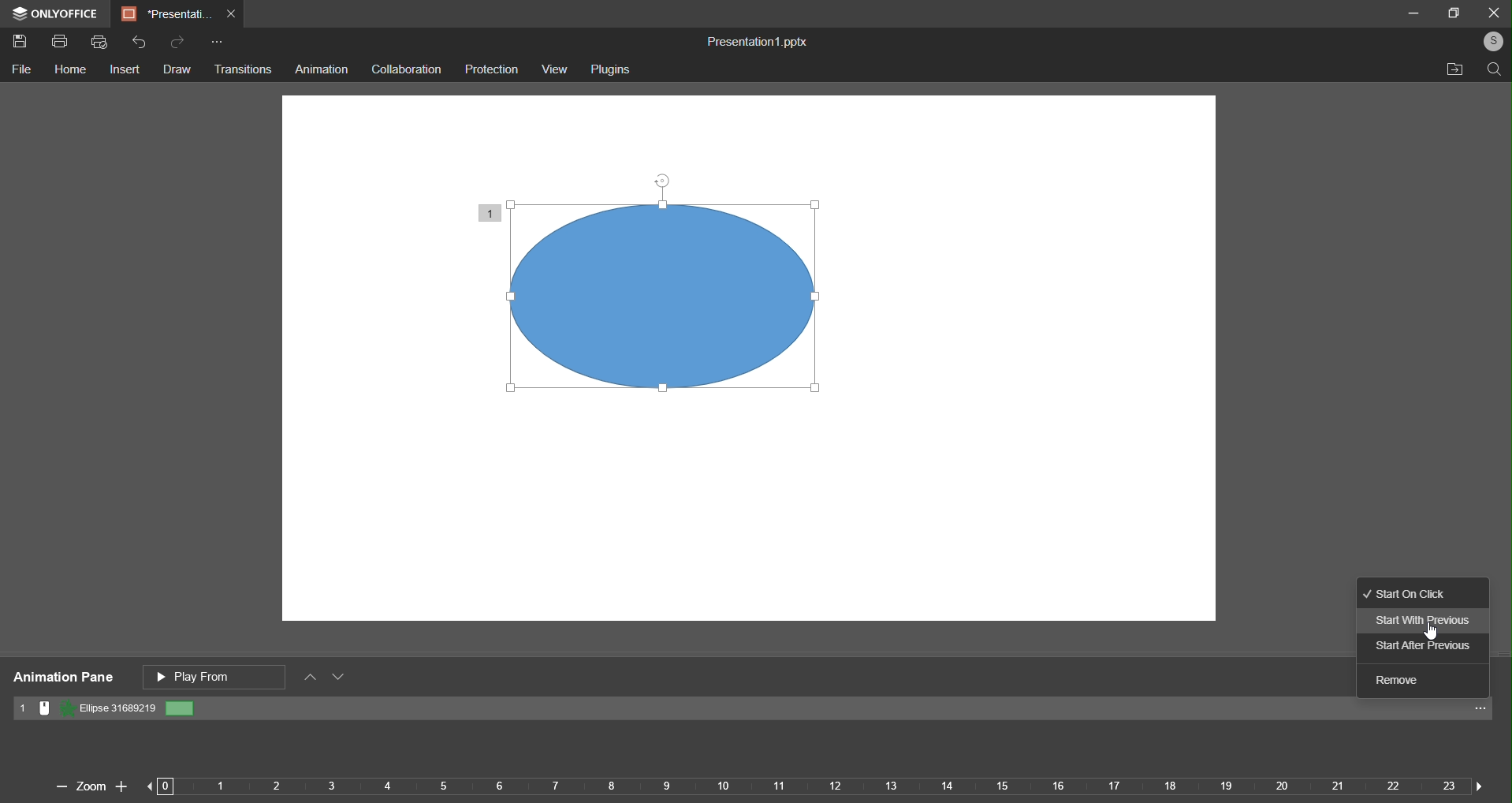 Image resolution: width=1512 pixels, height=803 pixels. I want to click on Logo, so click(55, 13).